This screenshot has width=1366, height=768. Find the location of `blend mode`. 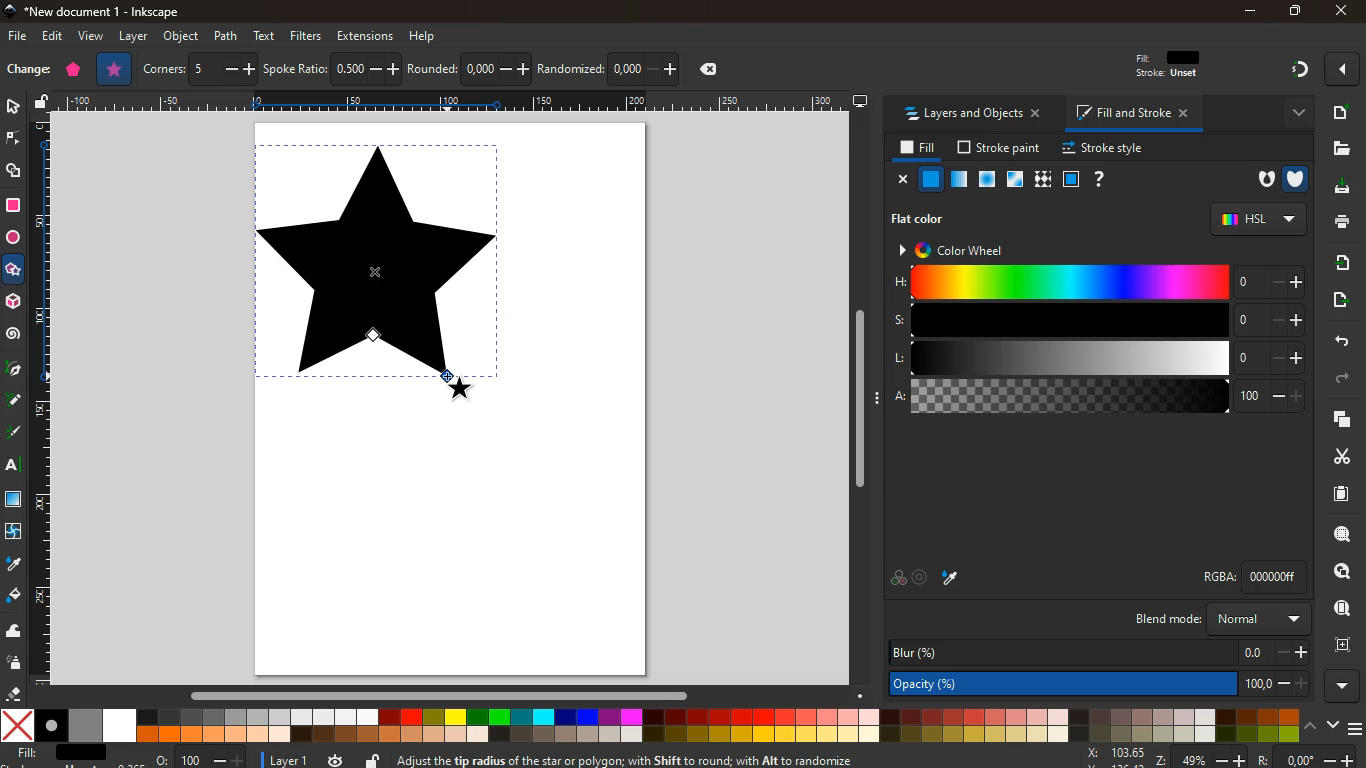

blend mode is located at coordinates (1209, 618).